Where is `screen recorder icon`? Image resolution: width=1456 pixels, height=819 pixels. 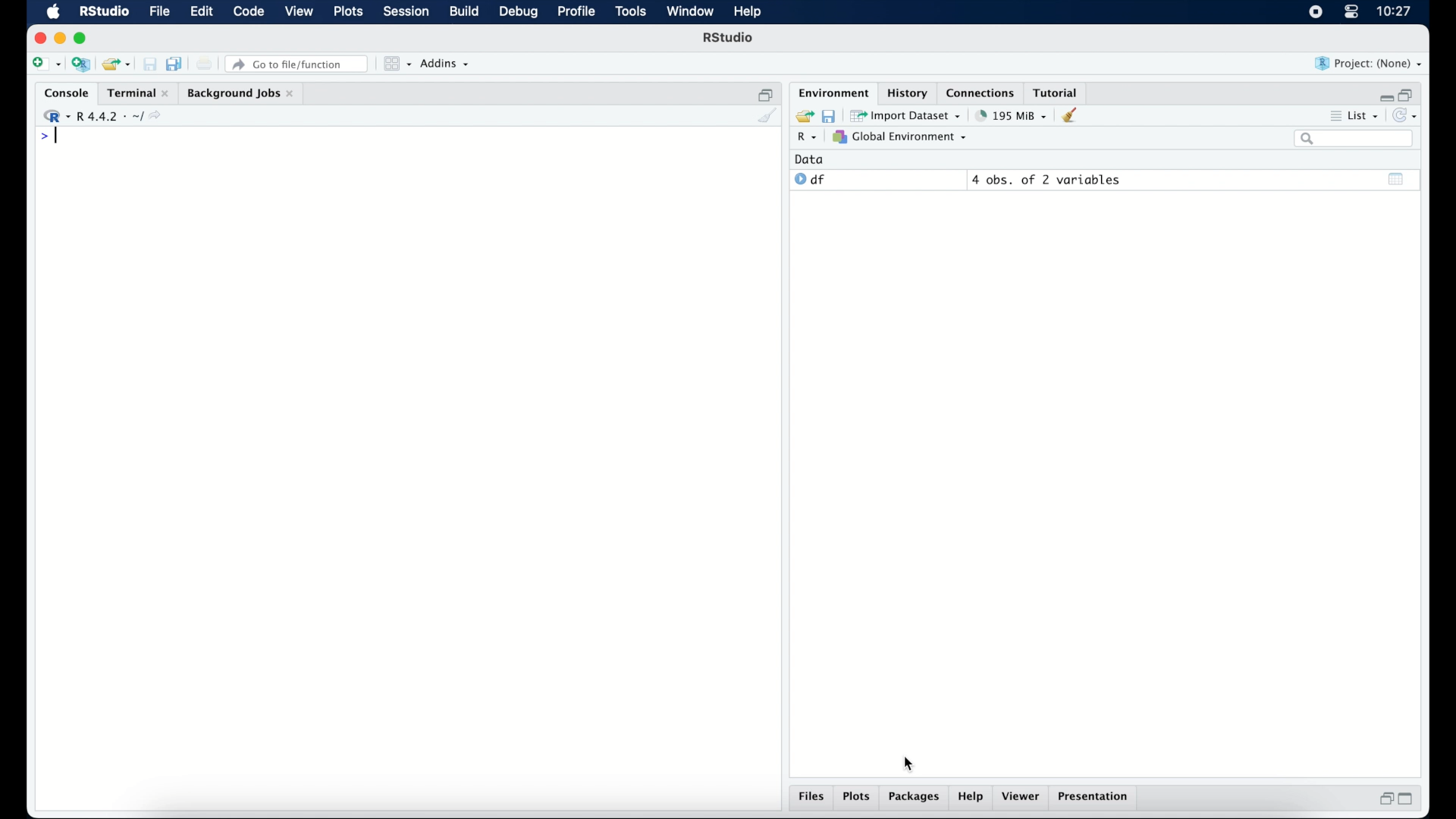
screen recorder icon is located at coordinates (1314, 12).